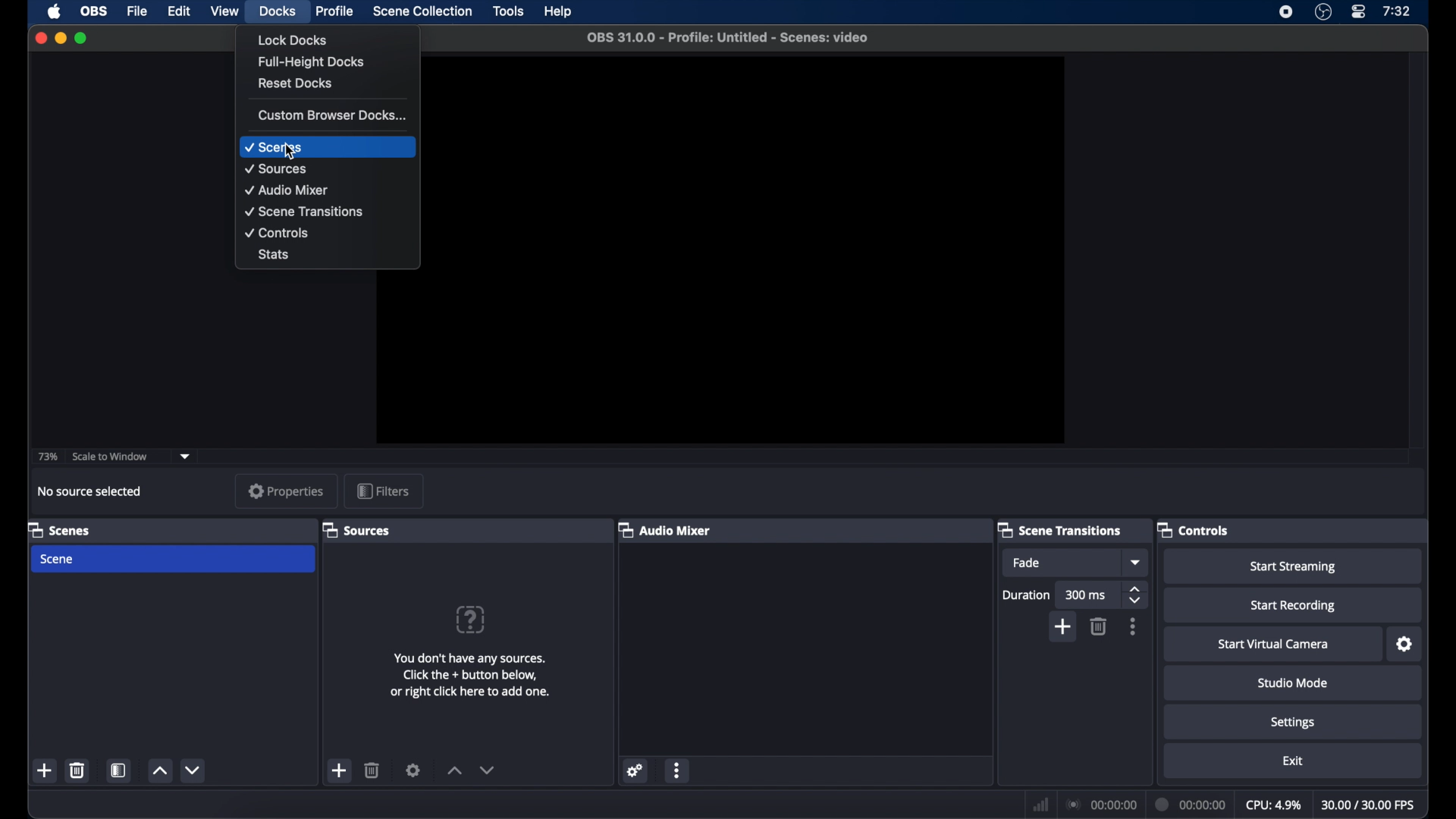 This screenshot has width=1456, height=819. Describe the element at coordinates (635, 770) in the screenshot. I see `settings` at that location.